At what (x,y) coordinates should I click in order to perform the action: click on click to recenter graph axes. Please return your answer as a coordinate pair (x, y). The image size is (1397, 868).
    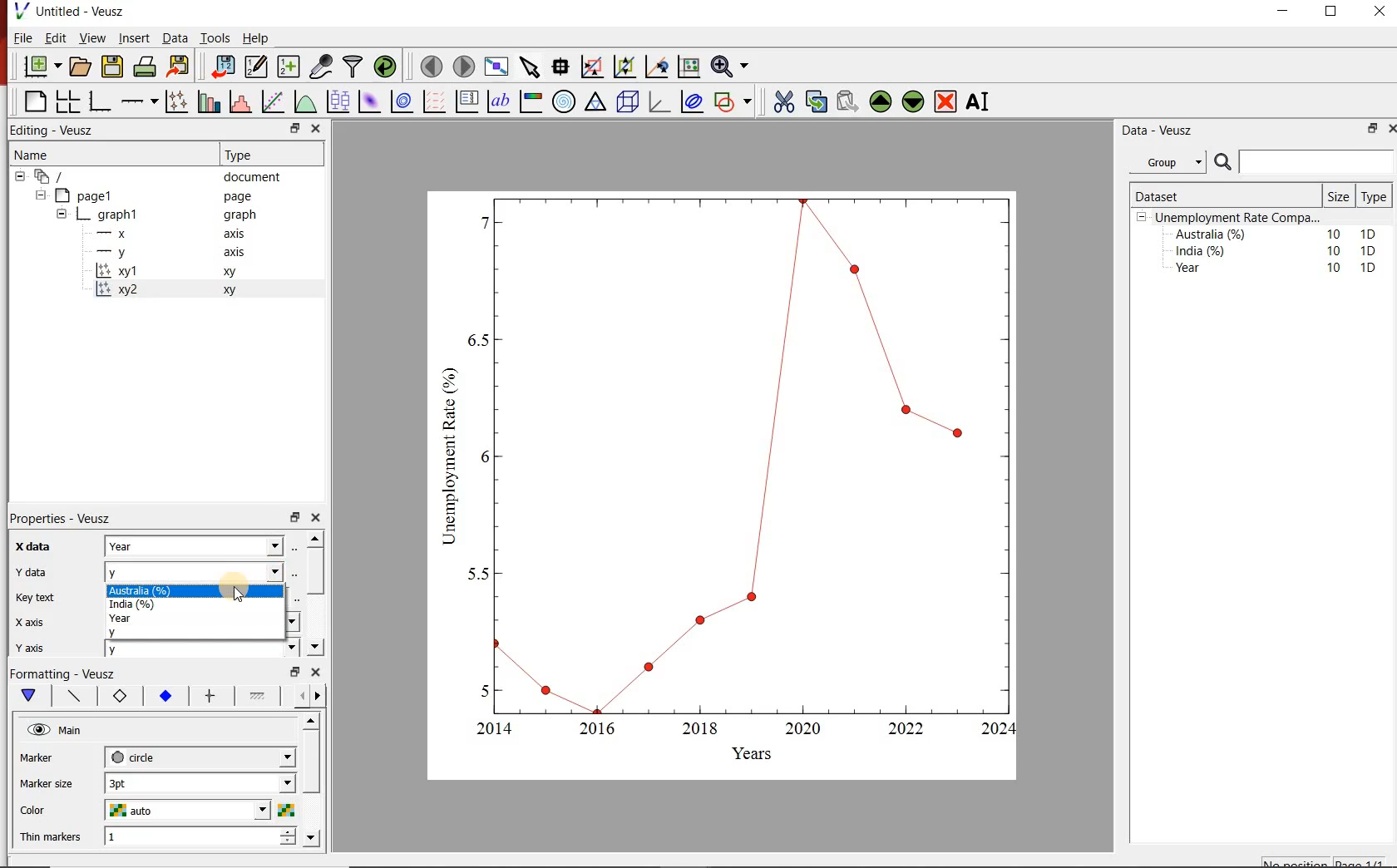
    Looking at the image, I should click on (658, 66).